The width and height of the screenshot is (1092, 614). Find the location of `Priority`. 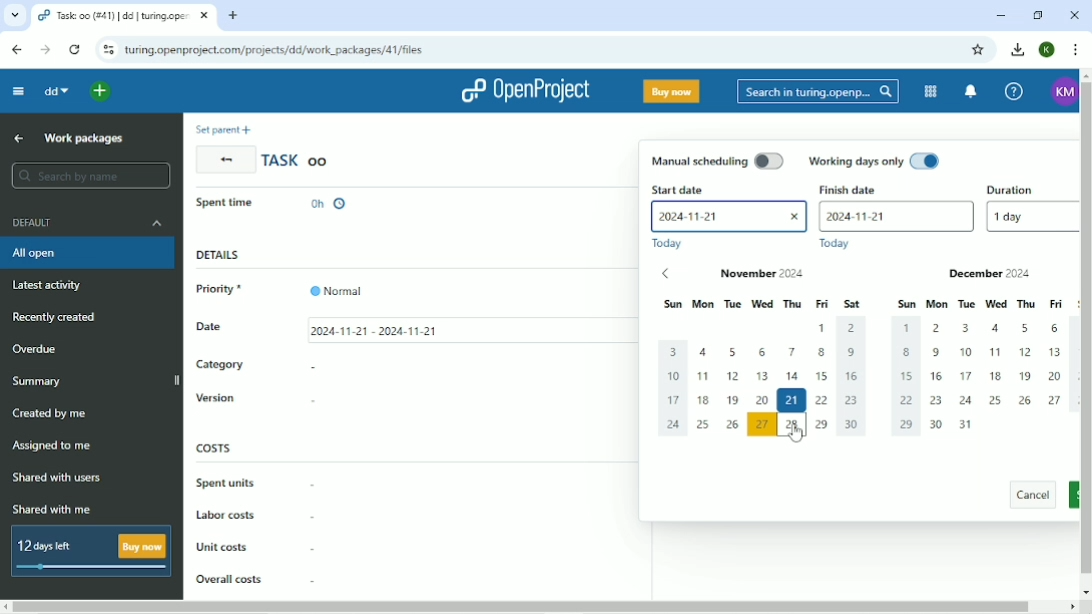

Priority is located at coordinates (279, 289).